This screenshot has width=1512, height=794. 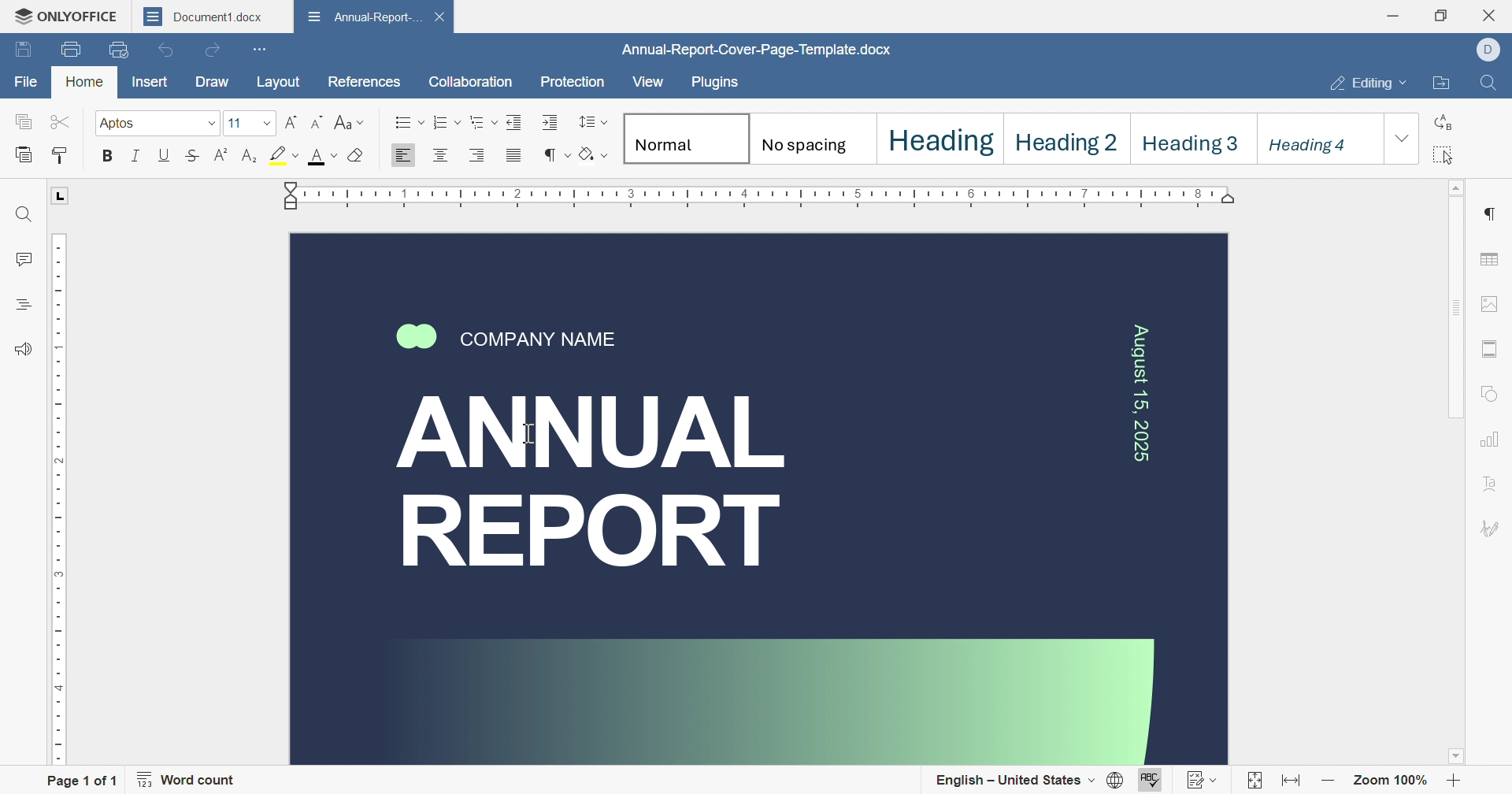 What do you see at coordinates (594, 154) in the screenshot?
I see `shading` at bounding box center [594, 154].